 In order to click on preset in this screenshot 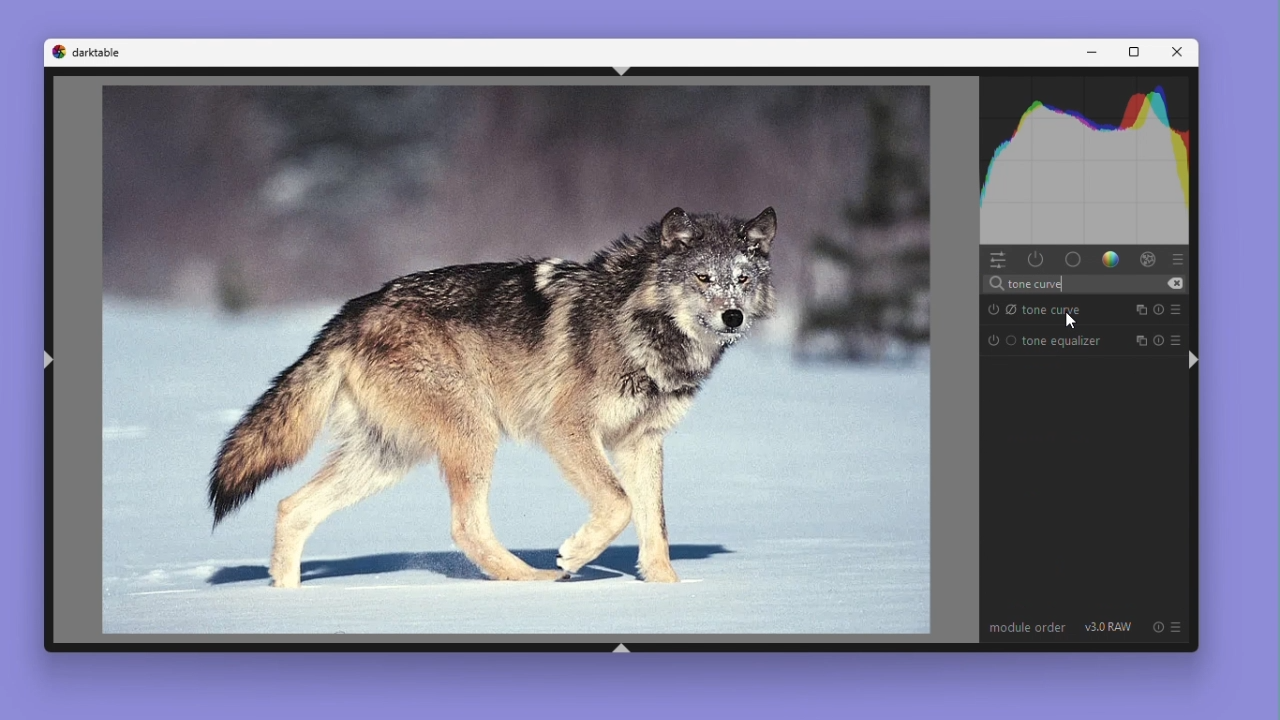, I will do `click(1177, 309)`.